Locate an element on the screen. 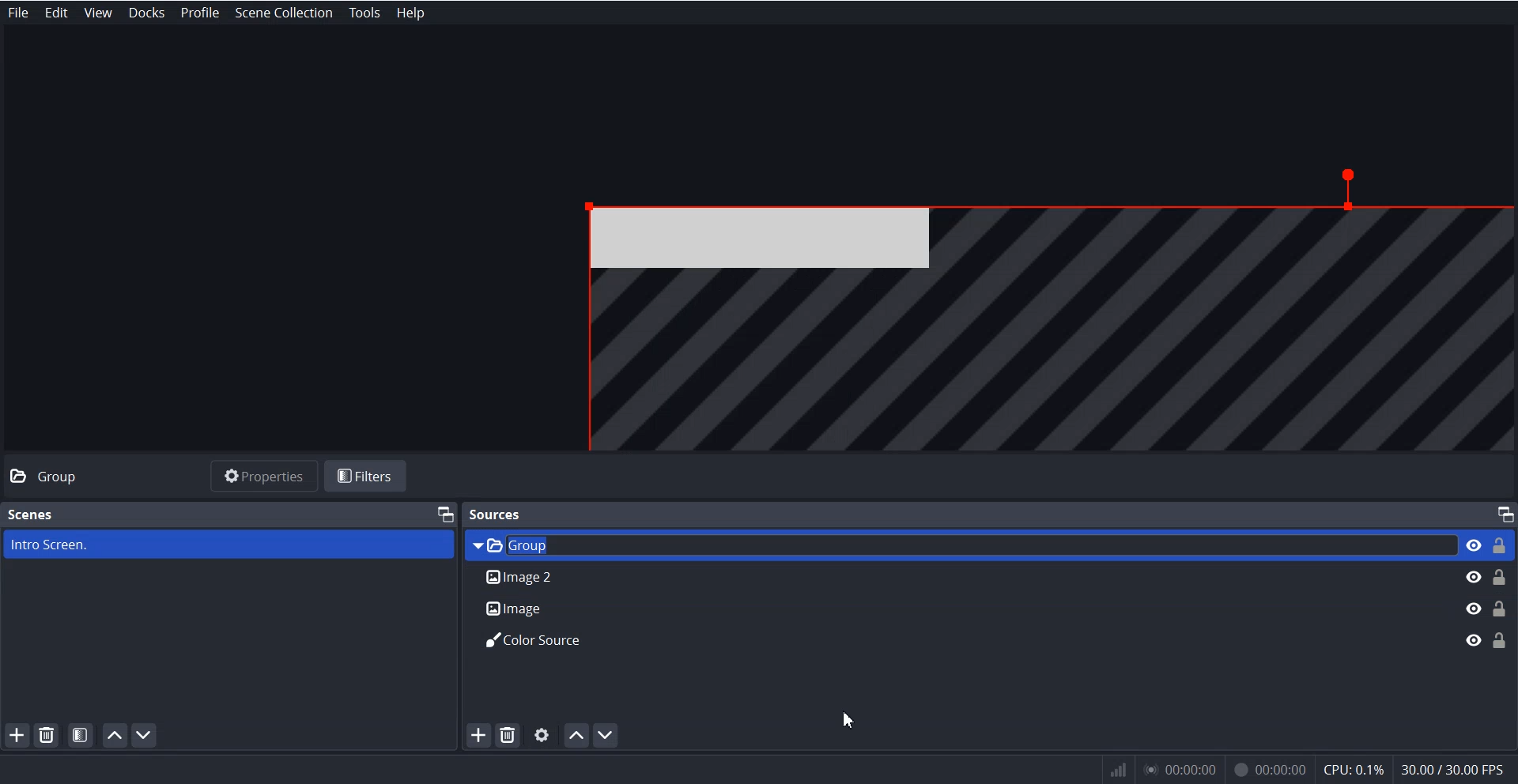 The height and width of the screenshot is (784, 1518). Help is located at coordinates (408, 13).